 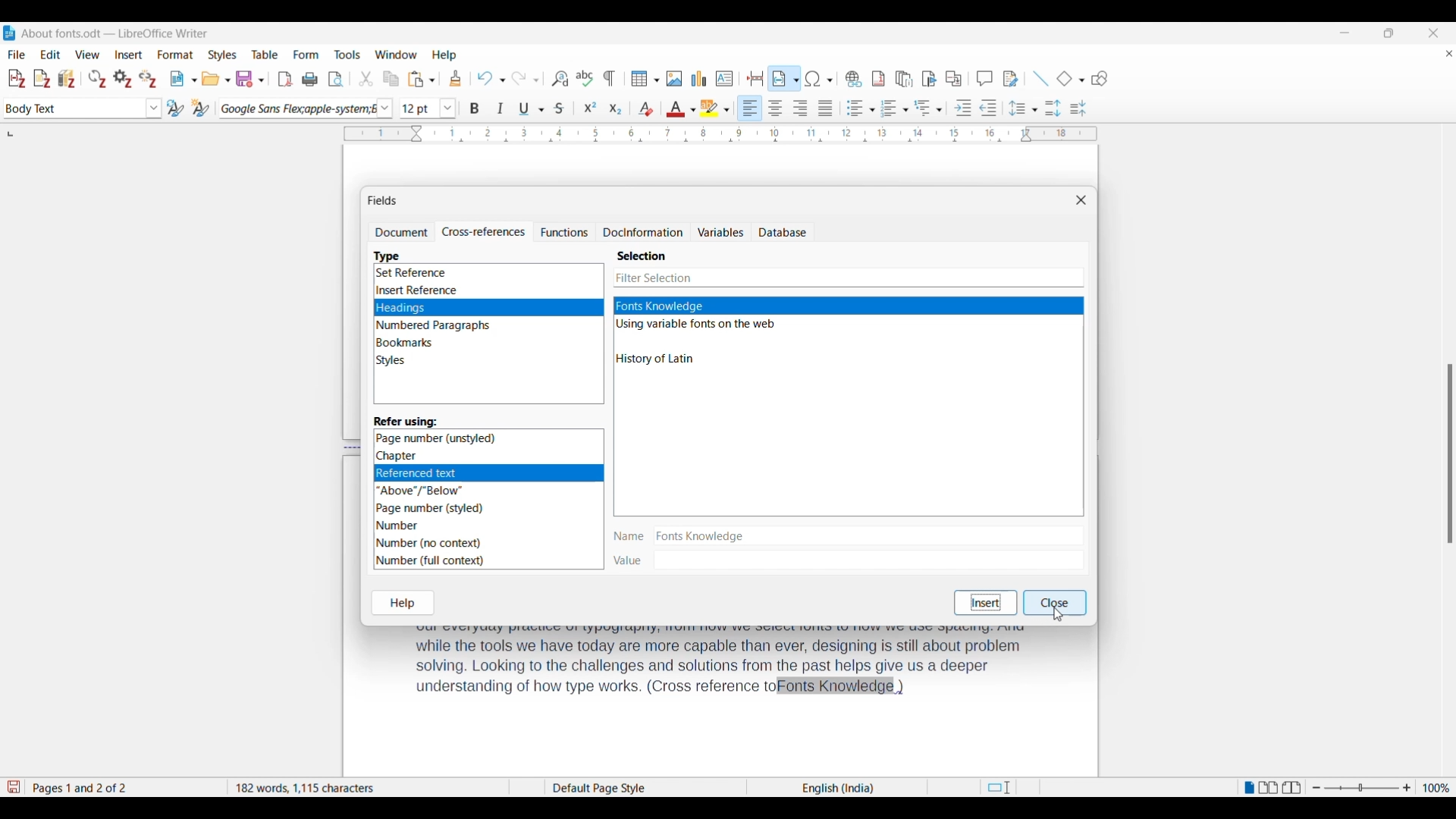 What do you see at coordinates (750, 108) in the screenshot?
I see `Align left, current selection highlighted` at bounding box center [750, 108].